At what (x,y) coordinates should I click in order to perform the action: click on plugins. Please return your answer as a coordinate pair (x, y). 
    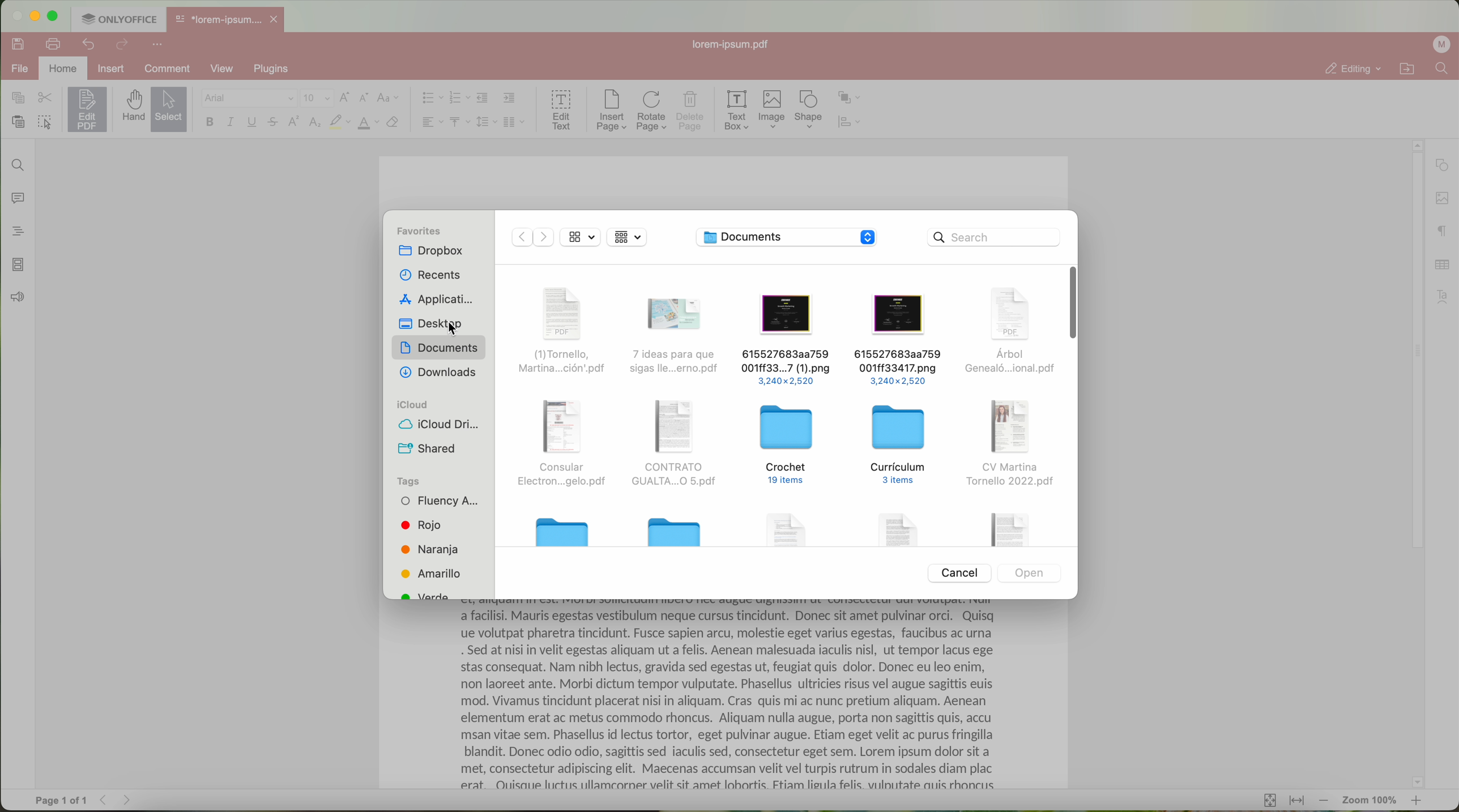
    Looking at the image, I should click on (278, 69).